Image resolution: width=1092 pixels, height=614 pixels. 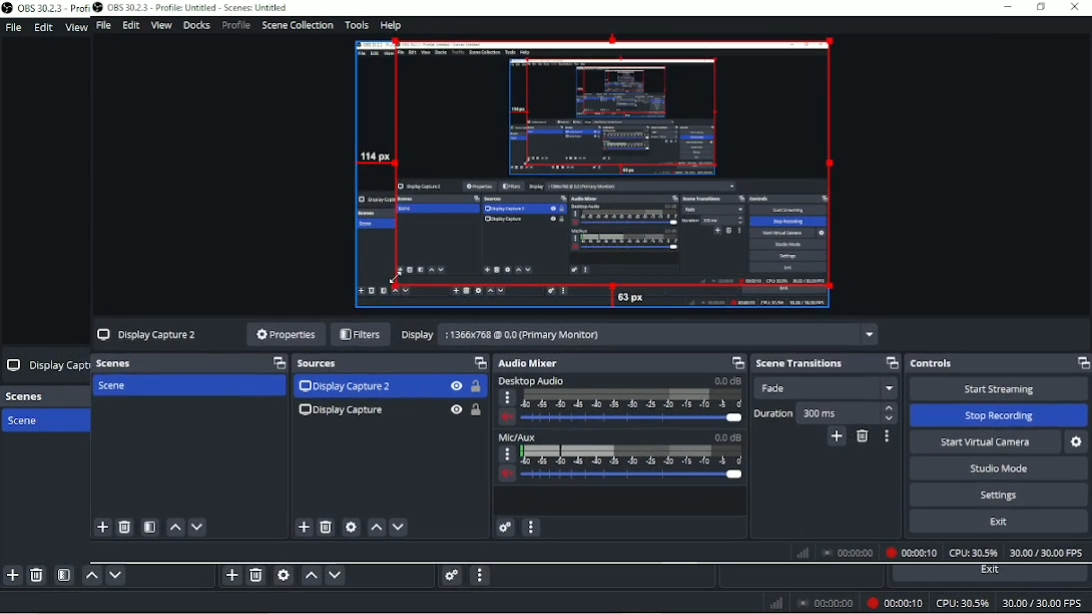 What do you see at coordinates (1006, 7) in the screenshot?
I see `minimise` at bounding box center [1006, 7].